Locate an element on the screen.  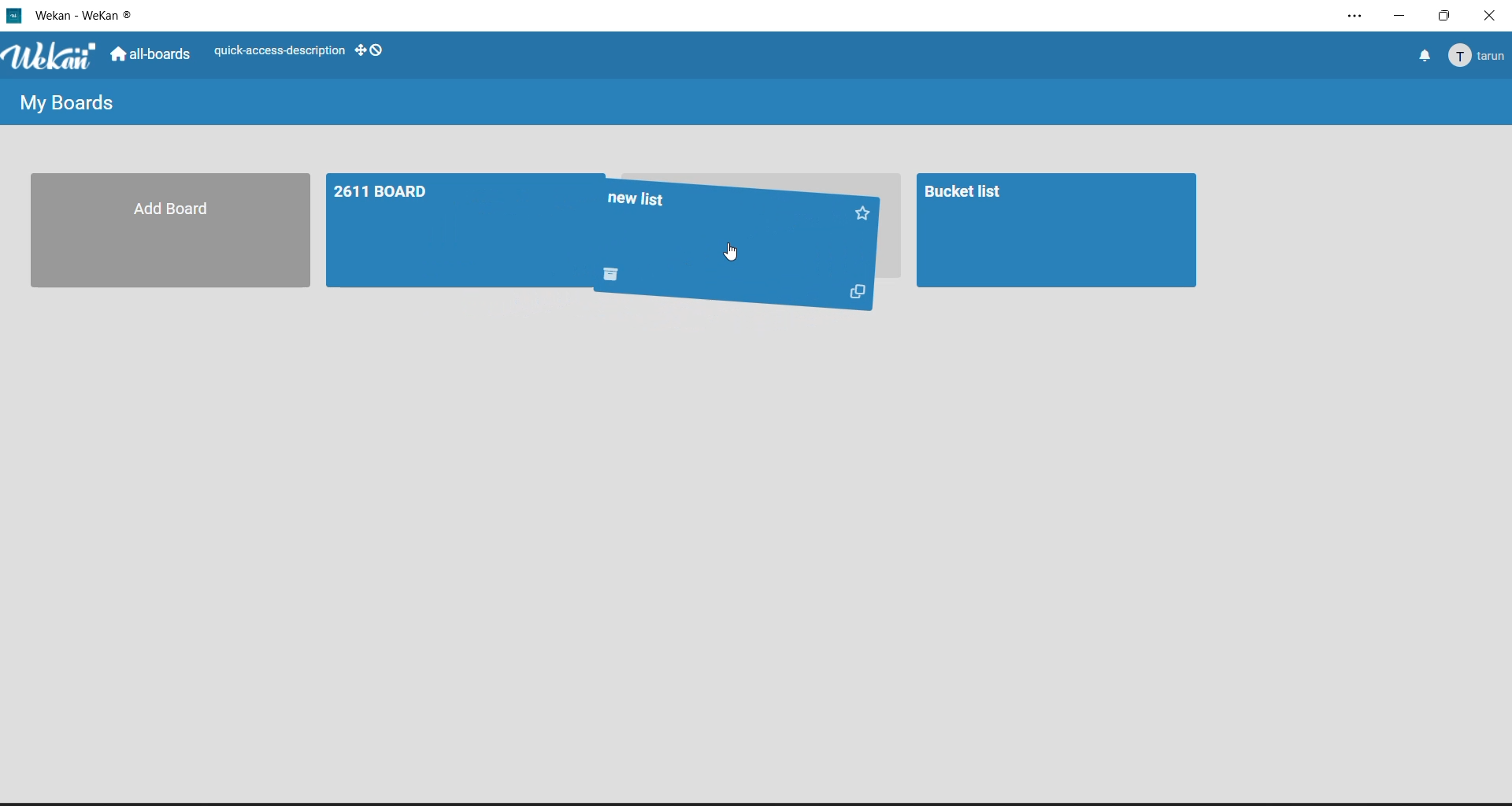
show desktop drag handles is located at coordinates (371, 50).